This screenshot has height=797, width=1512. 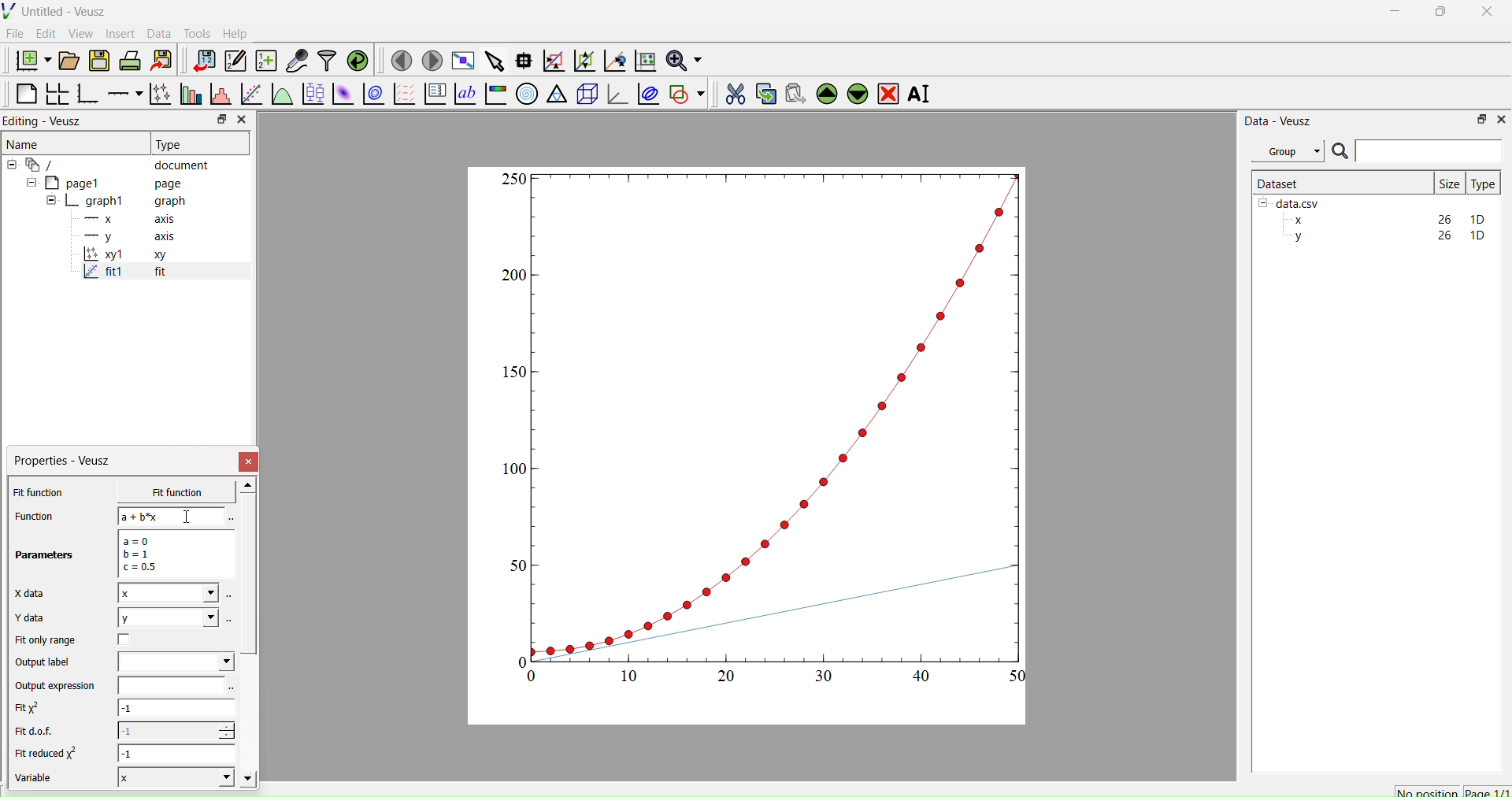 I want to click on Data - Veusz, so click(x=1278, y=120).